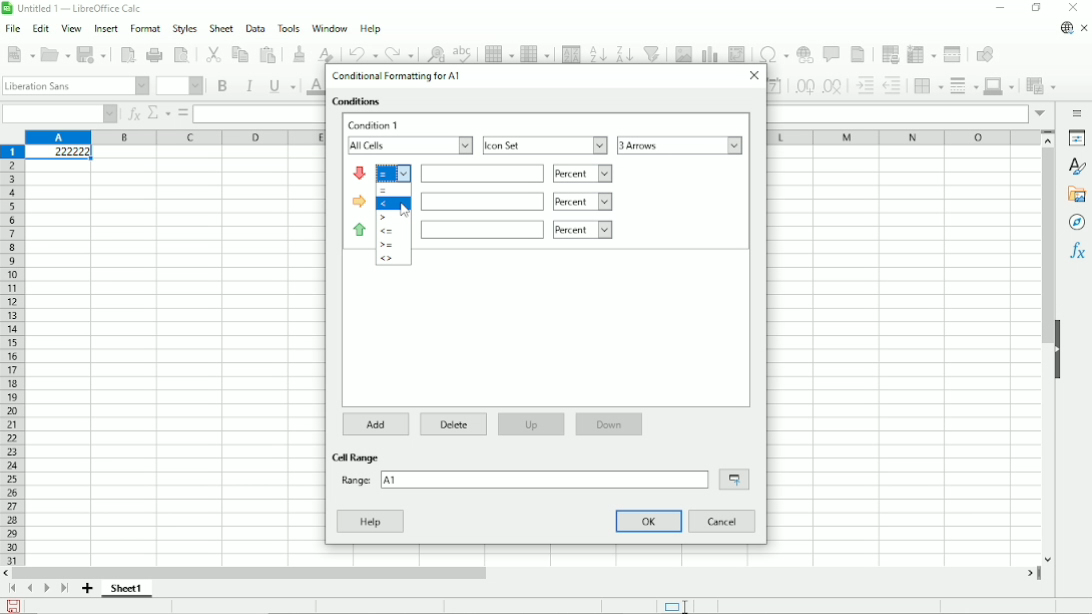 This screenshot has height=614, width=1092. Describe the element at coordinates (464, 50) in the screenshot. I see `Spell check` at that location.